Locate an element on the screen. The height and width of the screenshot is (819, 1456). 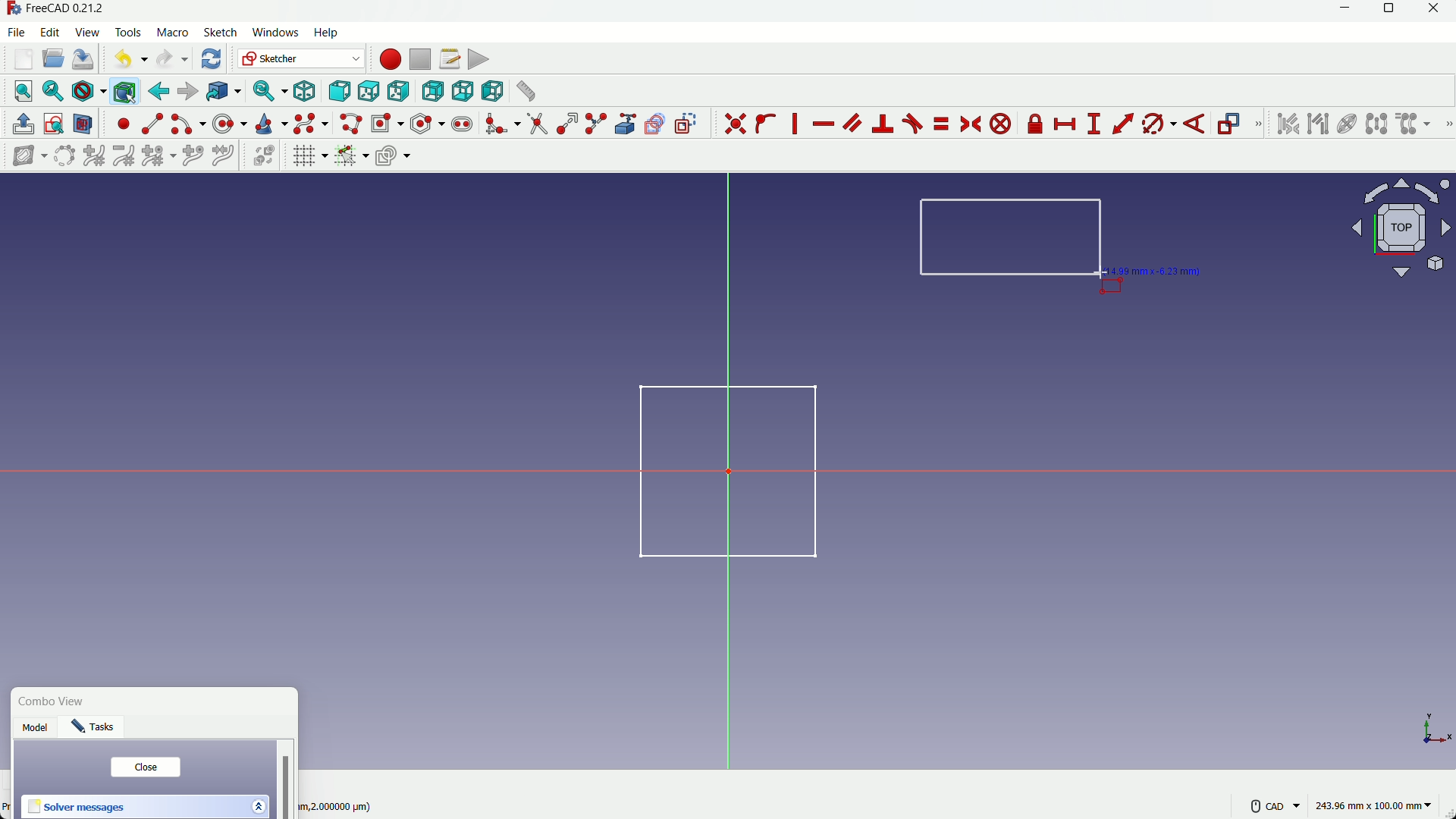
refresh is located at coordinates (213, 58).